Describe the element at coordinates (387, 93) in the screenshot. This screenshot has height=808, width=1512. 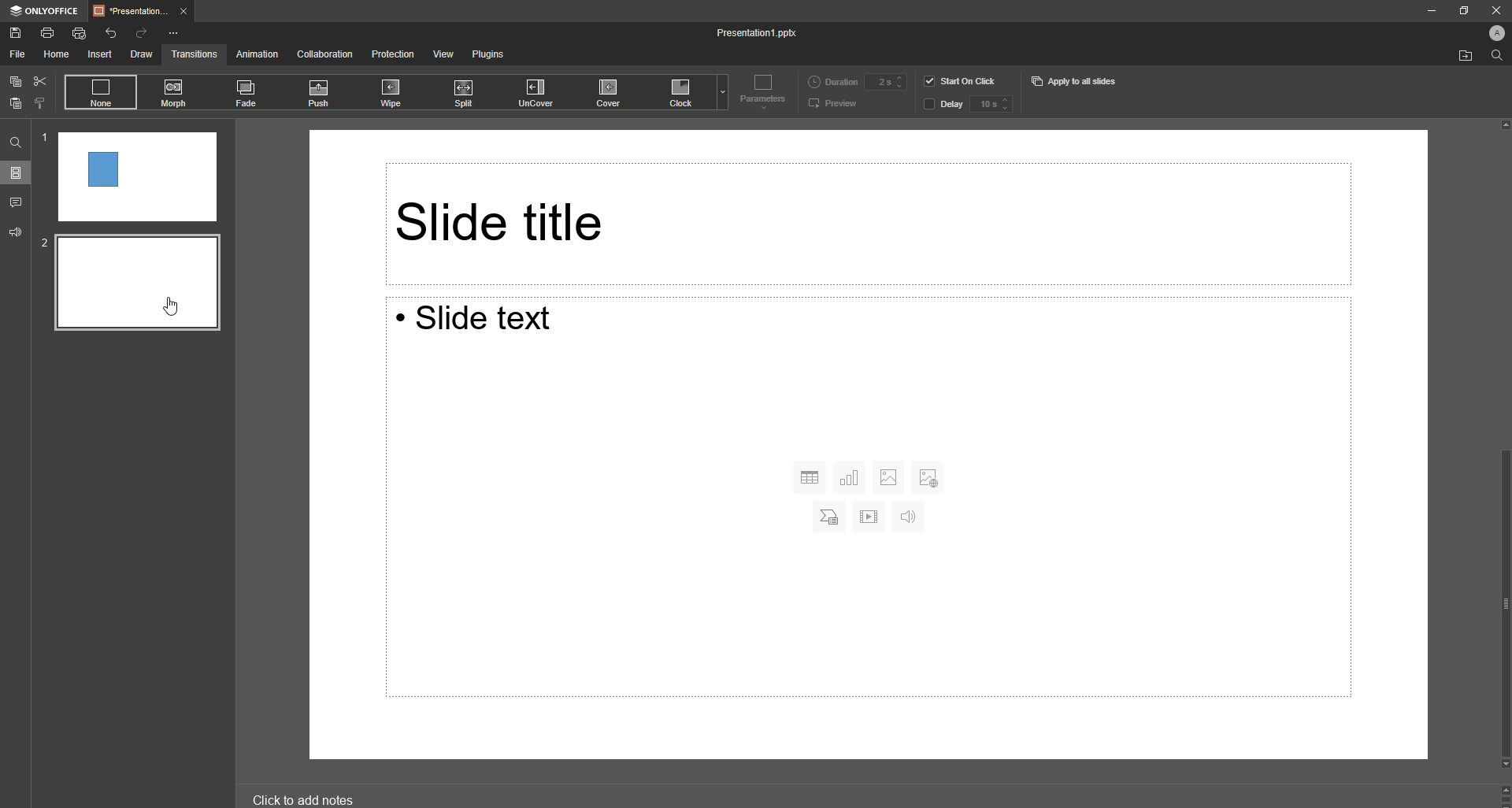
I see `Wipe` at that location.